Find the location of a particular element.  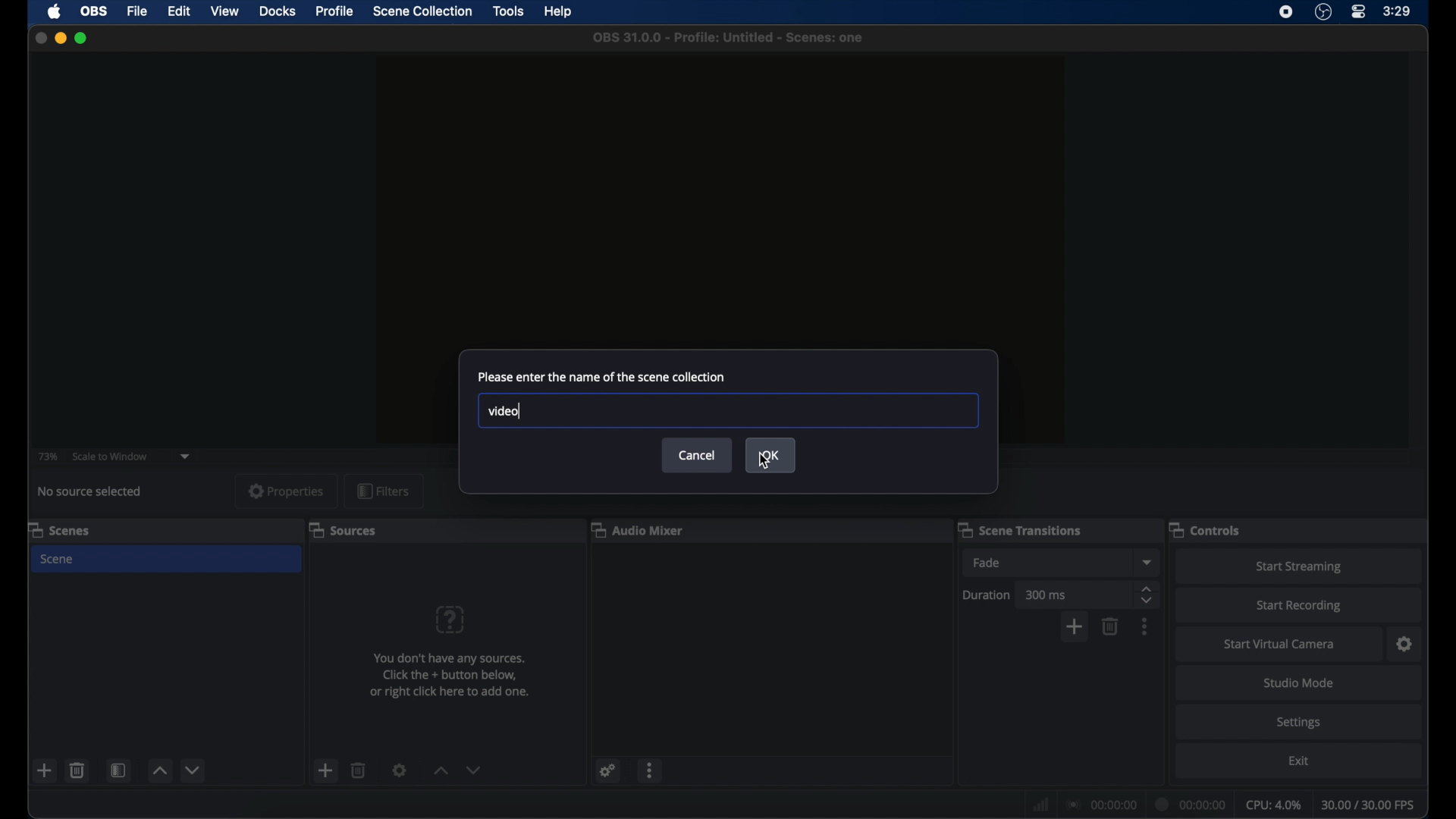

sources is located at coordinates (342, 529).